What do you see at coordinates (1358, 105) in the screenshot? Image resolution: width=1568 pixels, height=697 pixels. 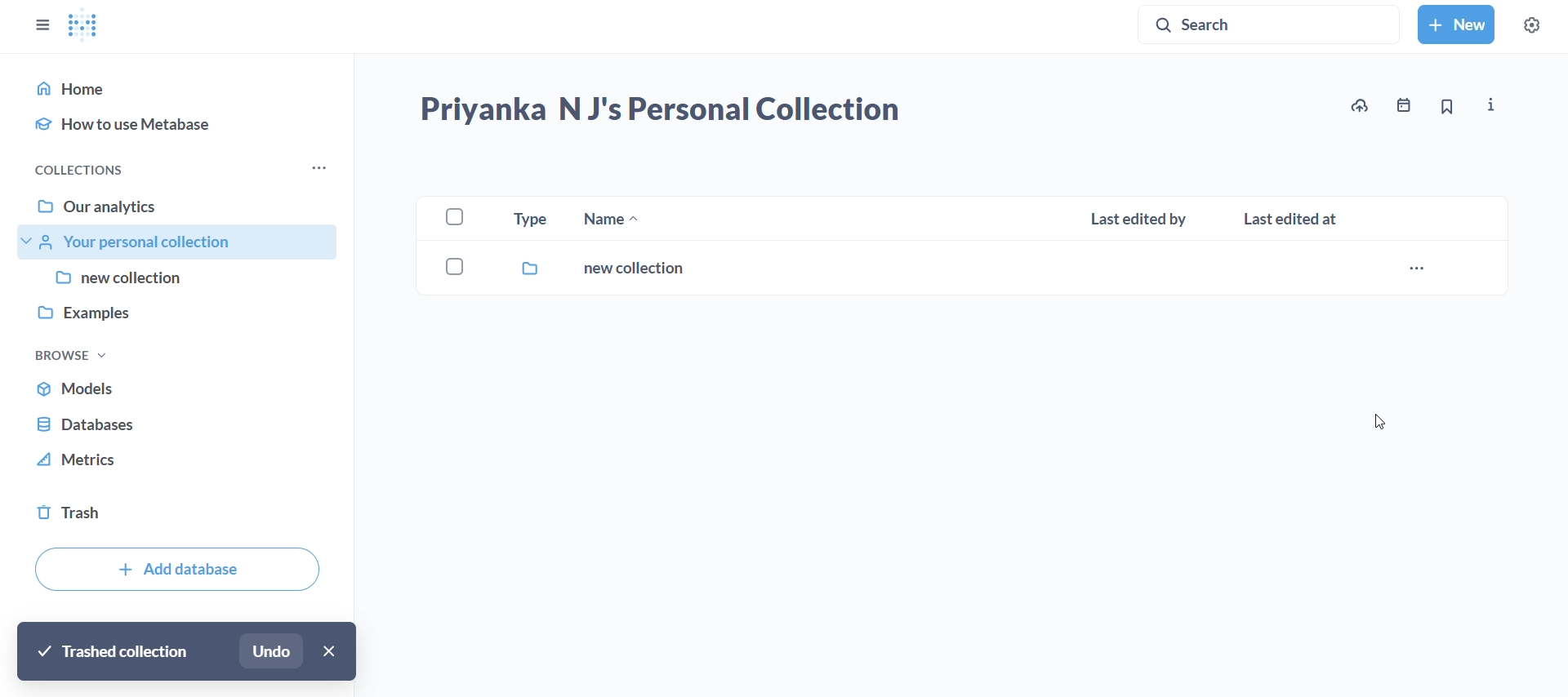 I see `upload data to priyanka N J's personal collection` at bounding box center [1358, 105].